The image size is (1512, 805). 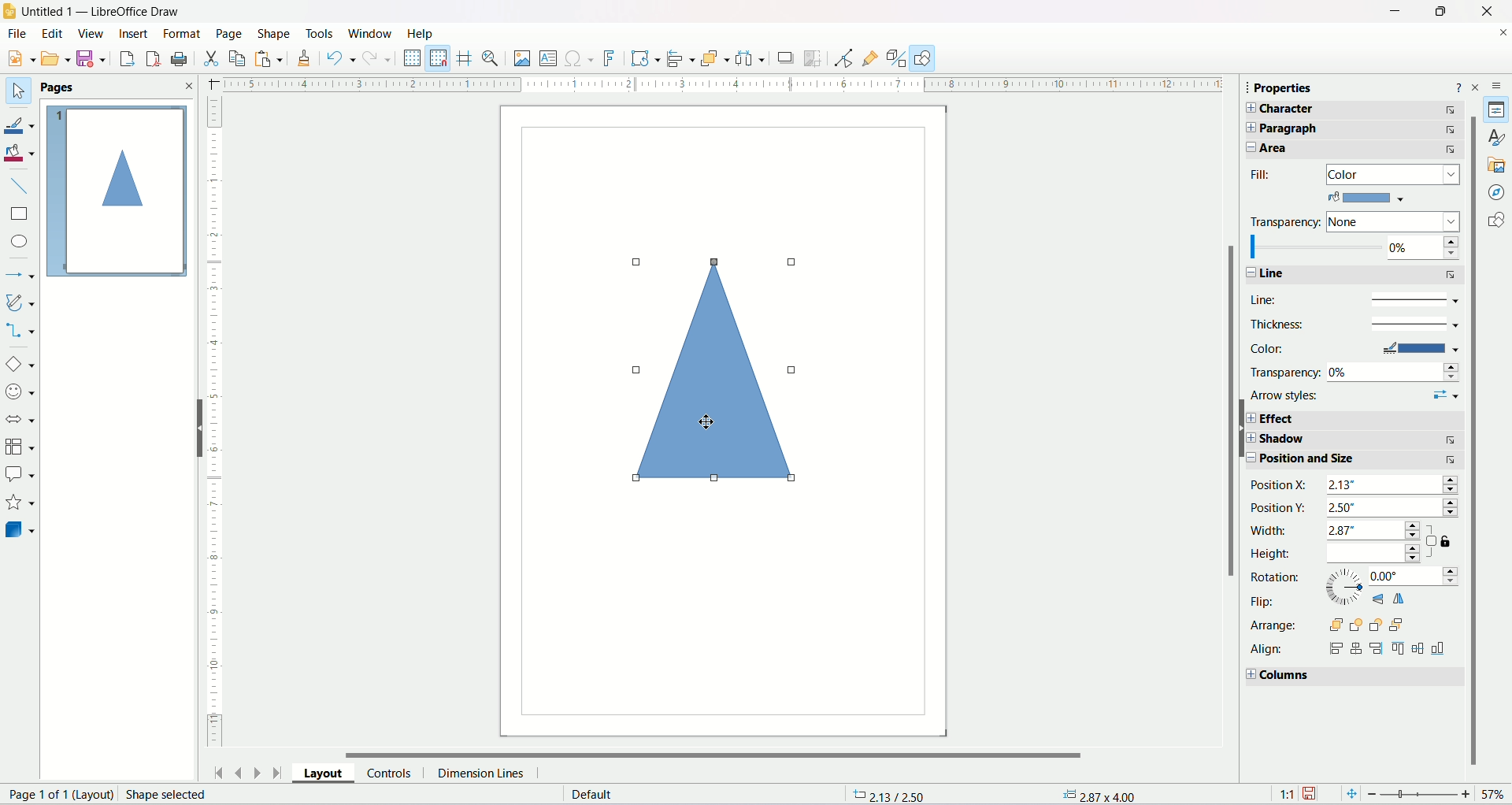 What do you see at coordinates (89, 34) in the screenshot?
I see `View` at bounding box center [89, 34].